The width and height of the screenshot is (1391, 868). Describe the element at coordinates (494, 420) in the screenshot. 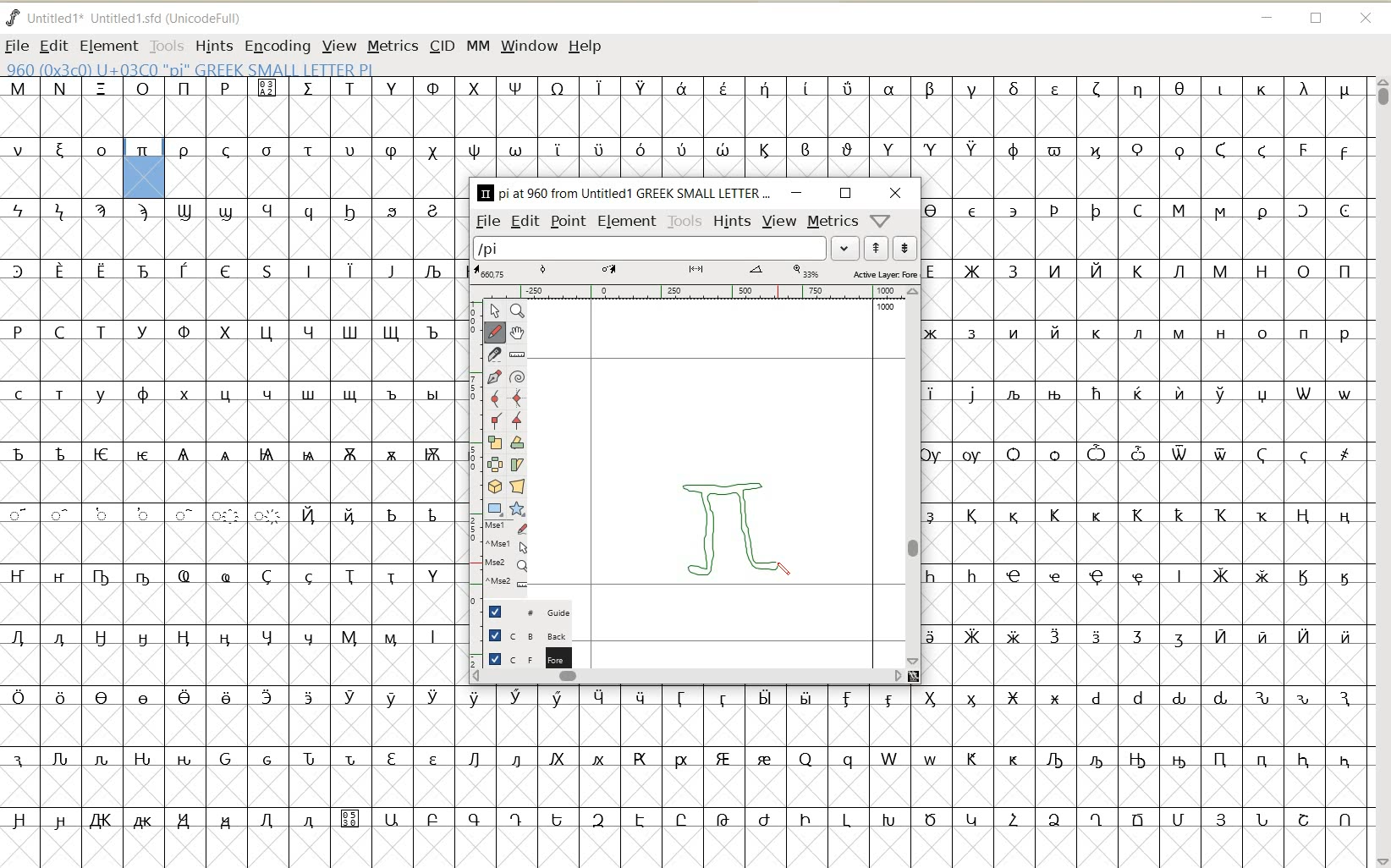

I see `Add a corner point` at that location.